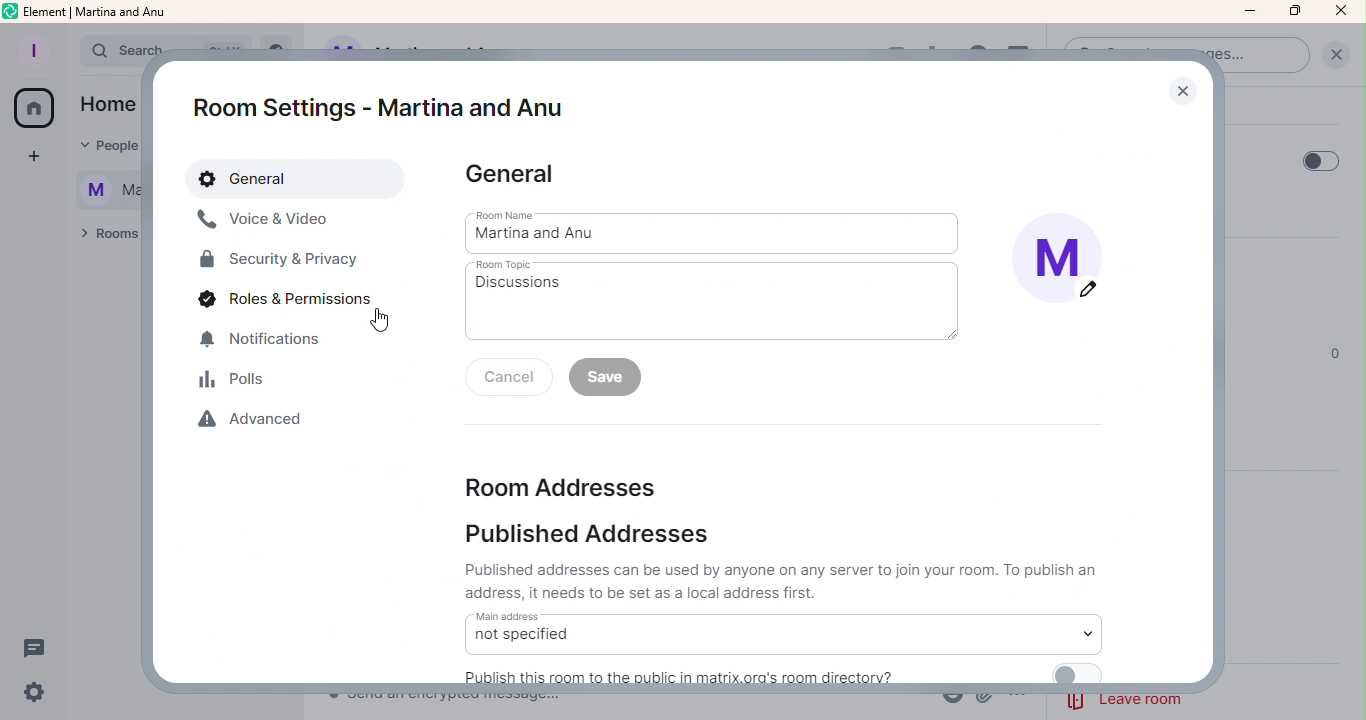 The width and height of the screenshot is (1366, 720). I want to click on General, so click(528, 174).